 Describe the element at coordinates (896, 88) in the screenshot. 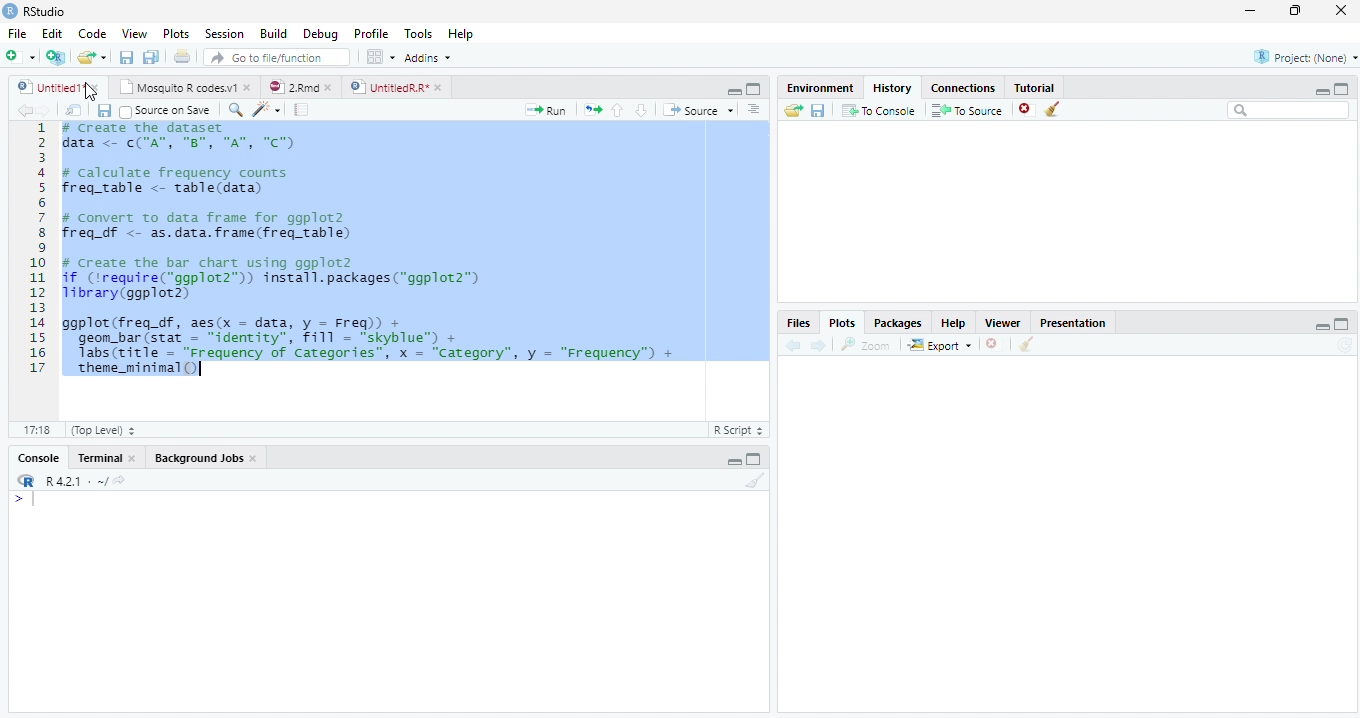

I see `History` at that location.